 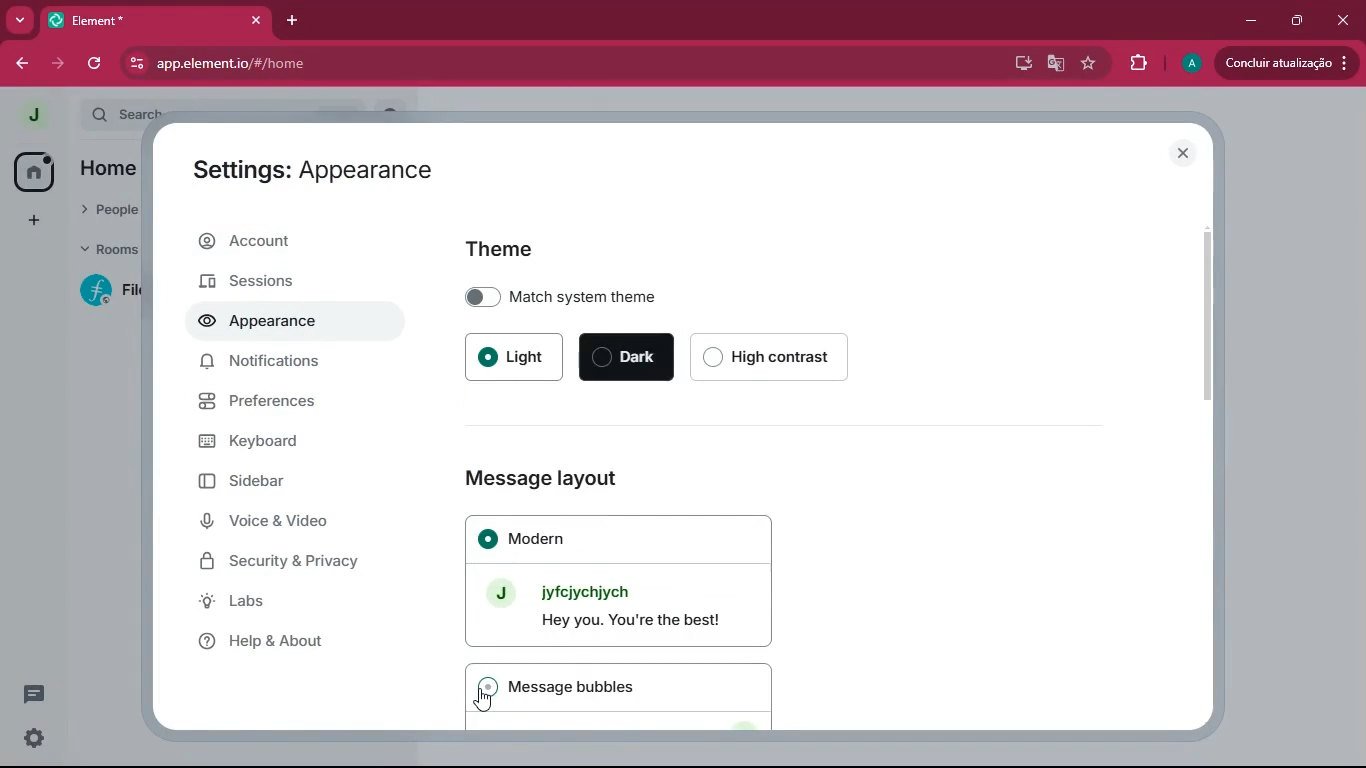 What do you see at coordinates (484, 700) in the screenshot?
I see `Cursor` at bounding box center [484, 700].